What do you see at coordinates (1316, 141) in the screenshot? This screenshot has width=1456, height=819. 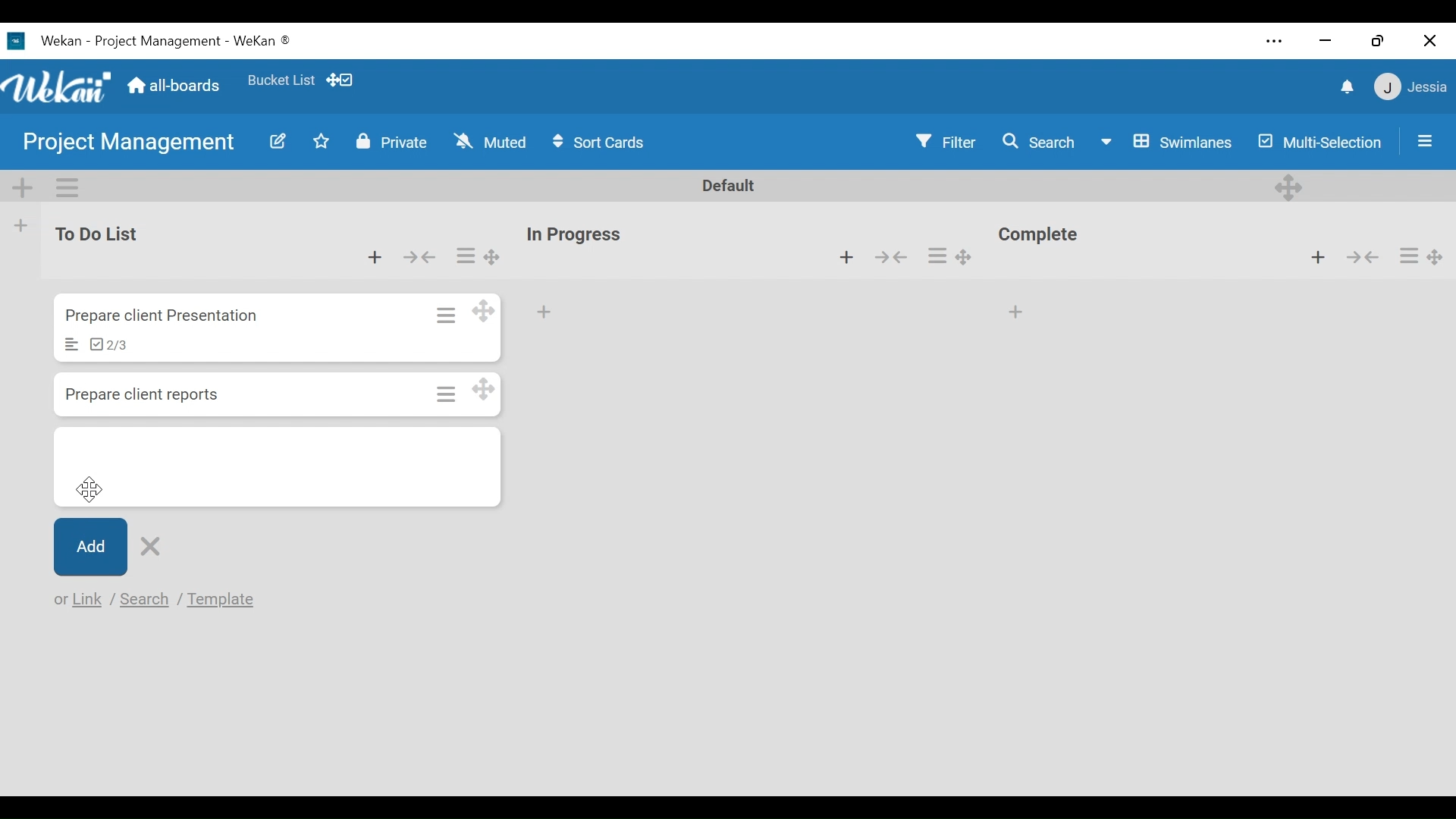 I see `Multi-selection` at bounding box center [1316, 141].